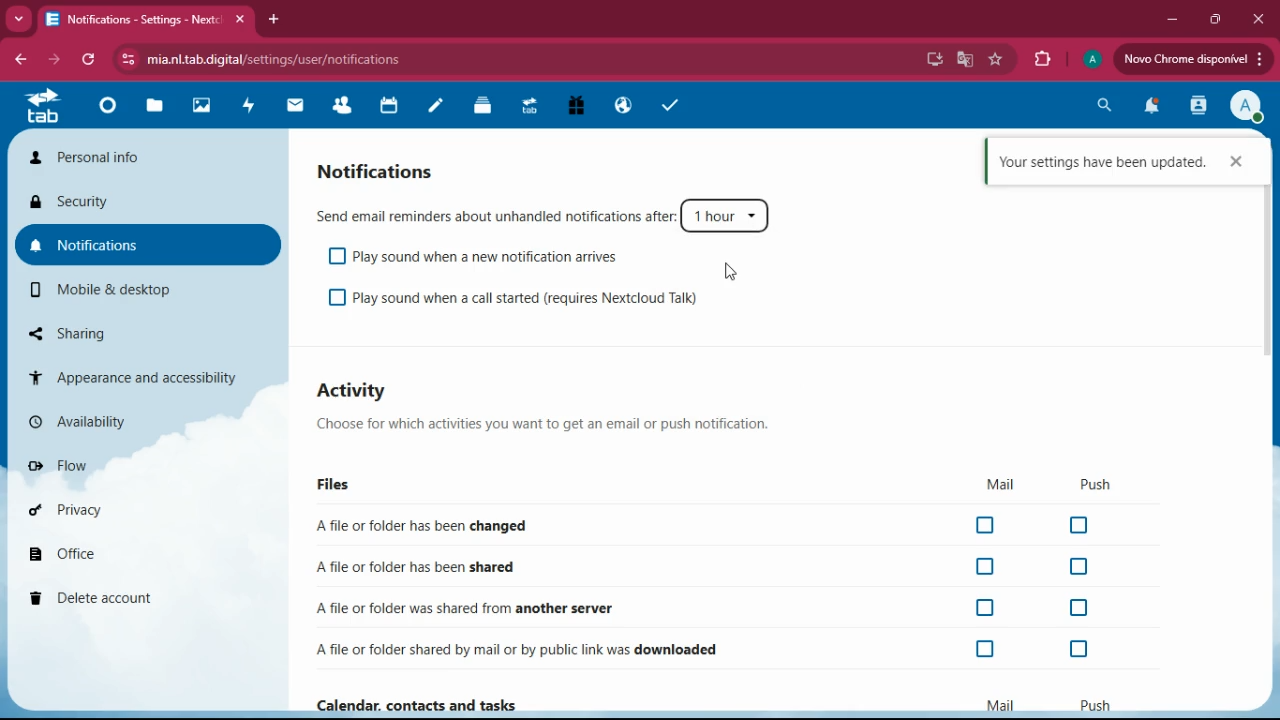 This screenshot has height=720, width=1280. What do you see at coordinates (128, 289) in the screenshot?
I see `mobile` at bounding box center [128, 289].